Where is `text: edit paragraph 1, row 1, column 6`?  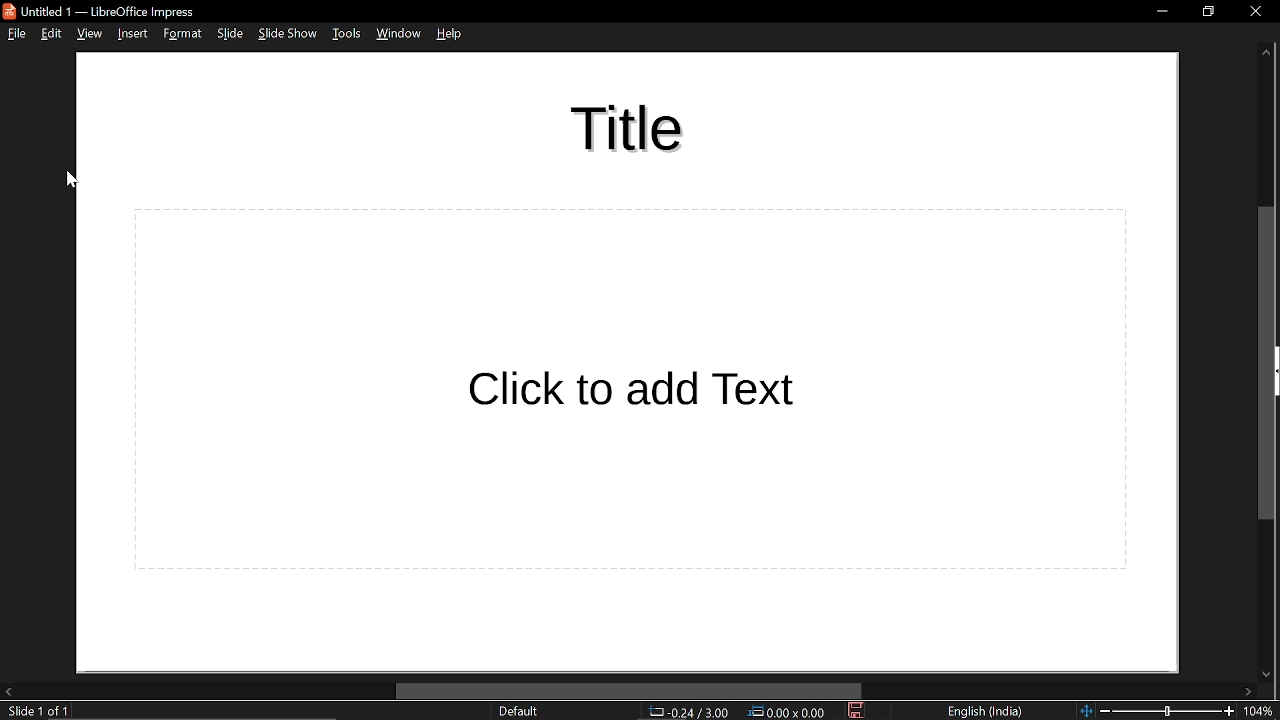 text: edit paragraph 1, row 1, column 6 is located at coordinates (191, 711).